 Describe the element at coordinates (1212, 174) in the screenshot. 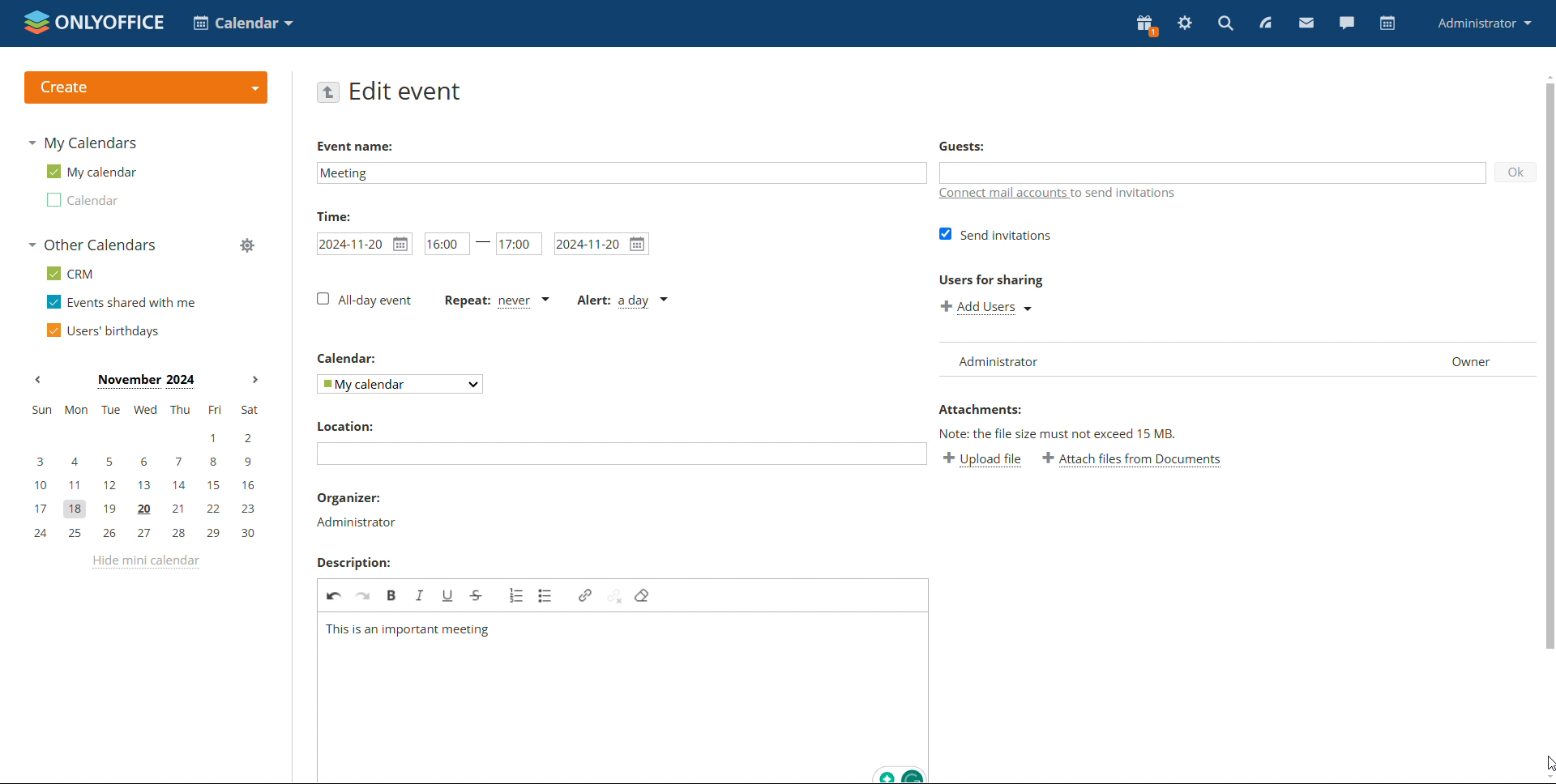

I see `add guests` at that location.